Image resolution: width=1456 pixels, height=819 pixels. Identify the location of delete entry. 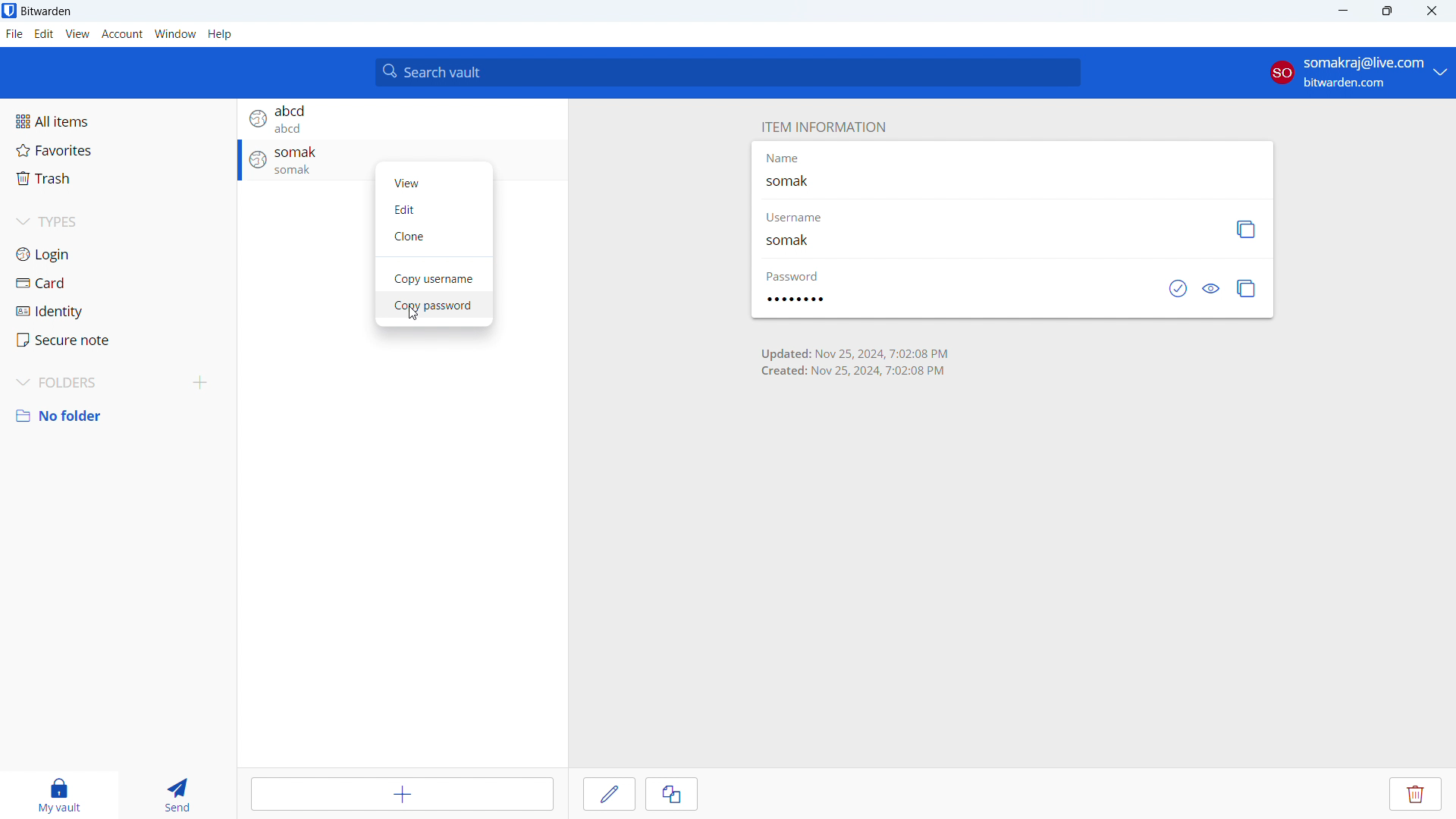
(1415, 793).